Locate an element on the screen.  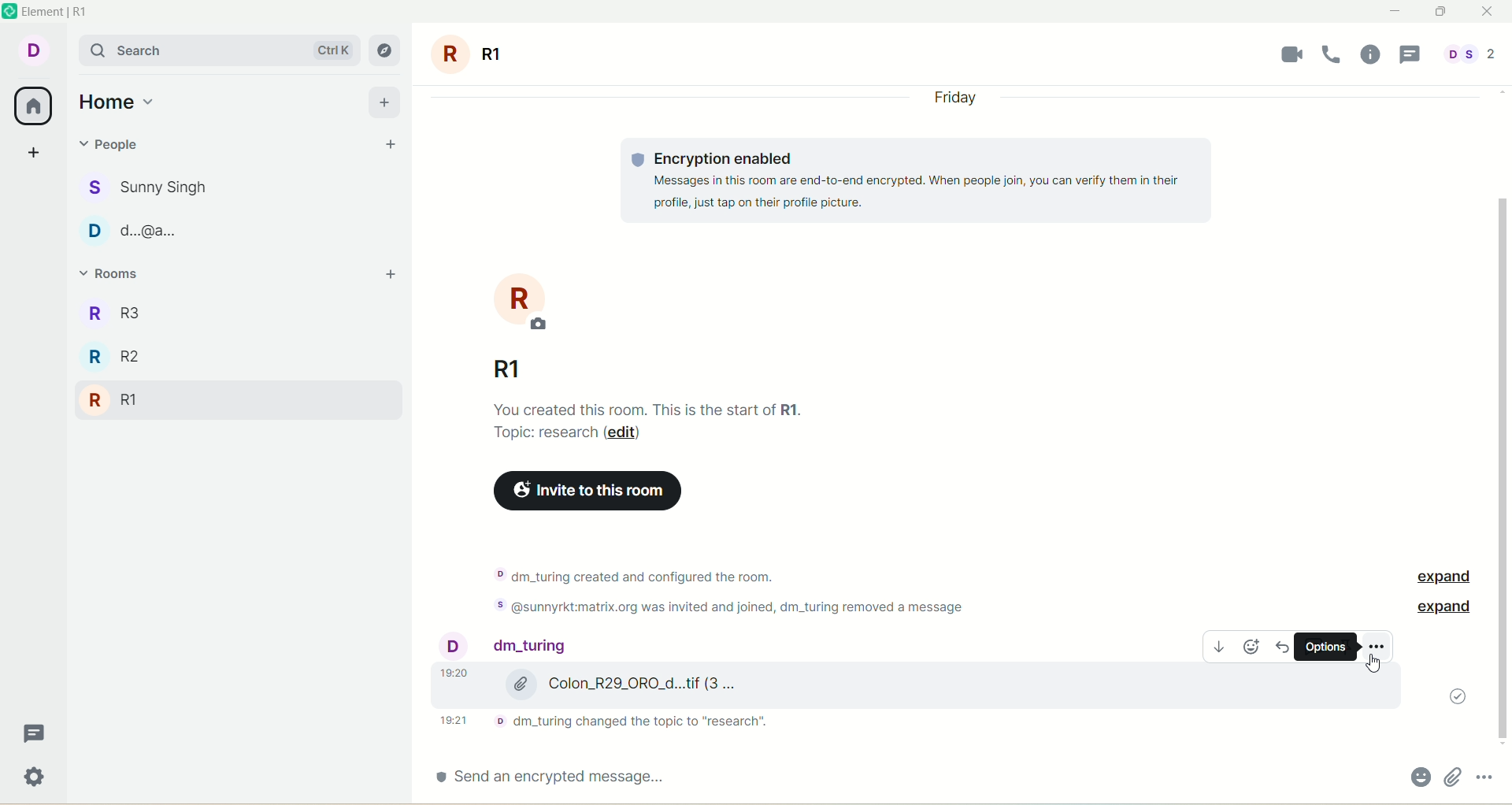
message sent is located at coordinates (1458, 696).